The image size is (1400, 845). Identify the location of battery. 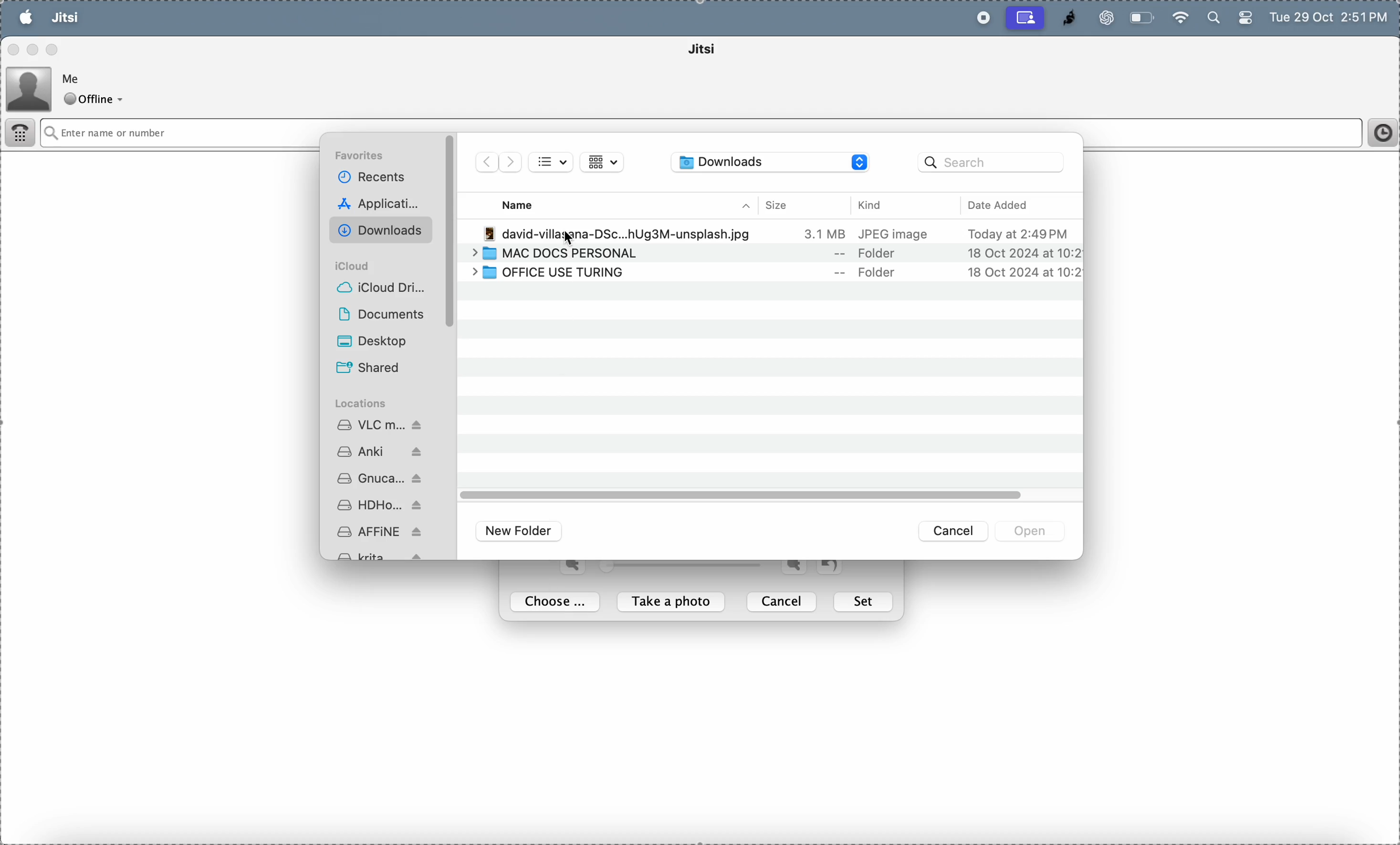
(1143, 18).